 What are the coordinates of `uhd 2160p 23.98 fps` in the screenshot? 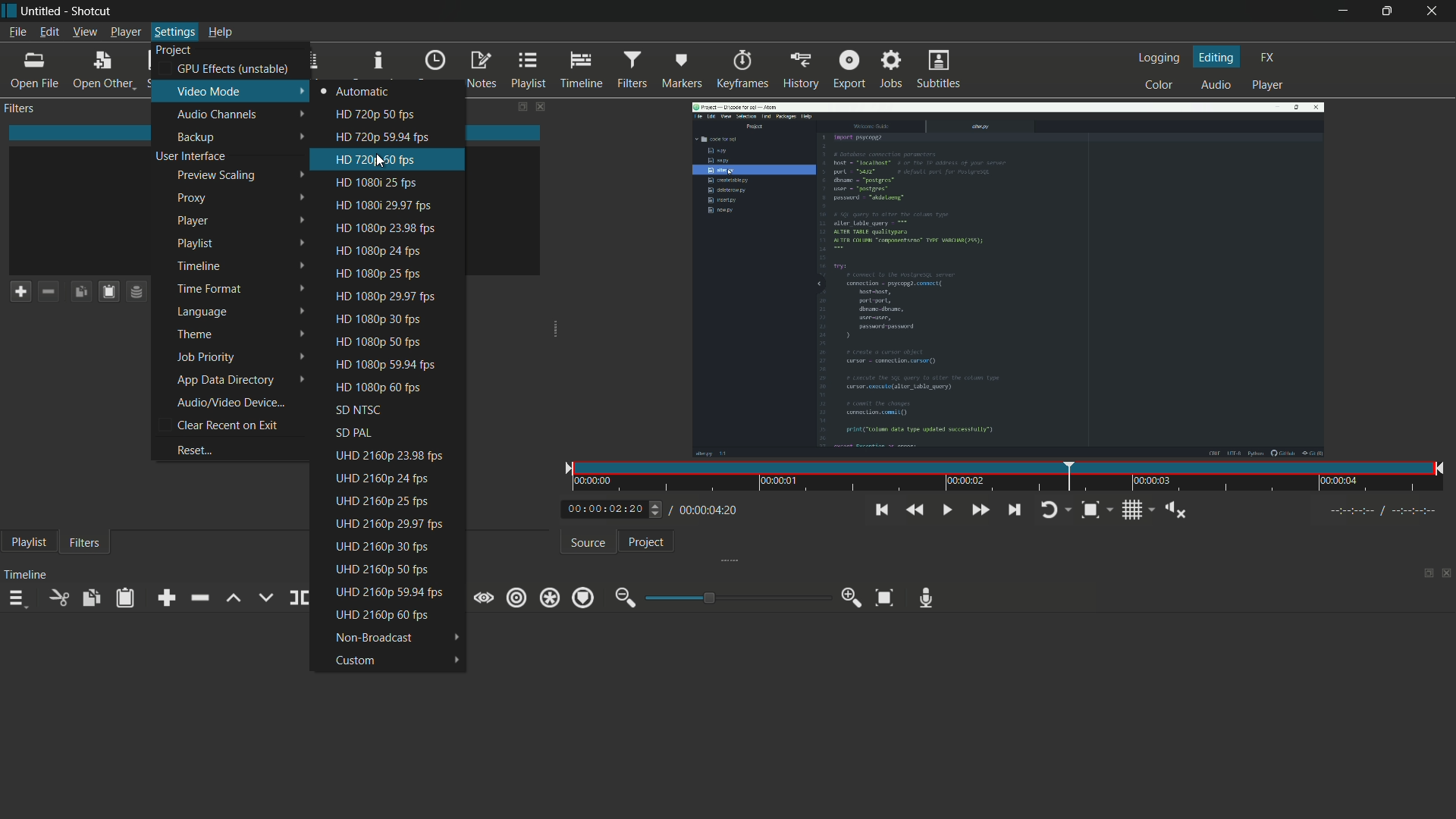 It's located at (390, 455).